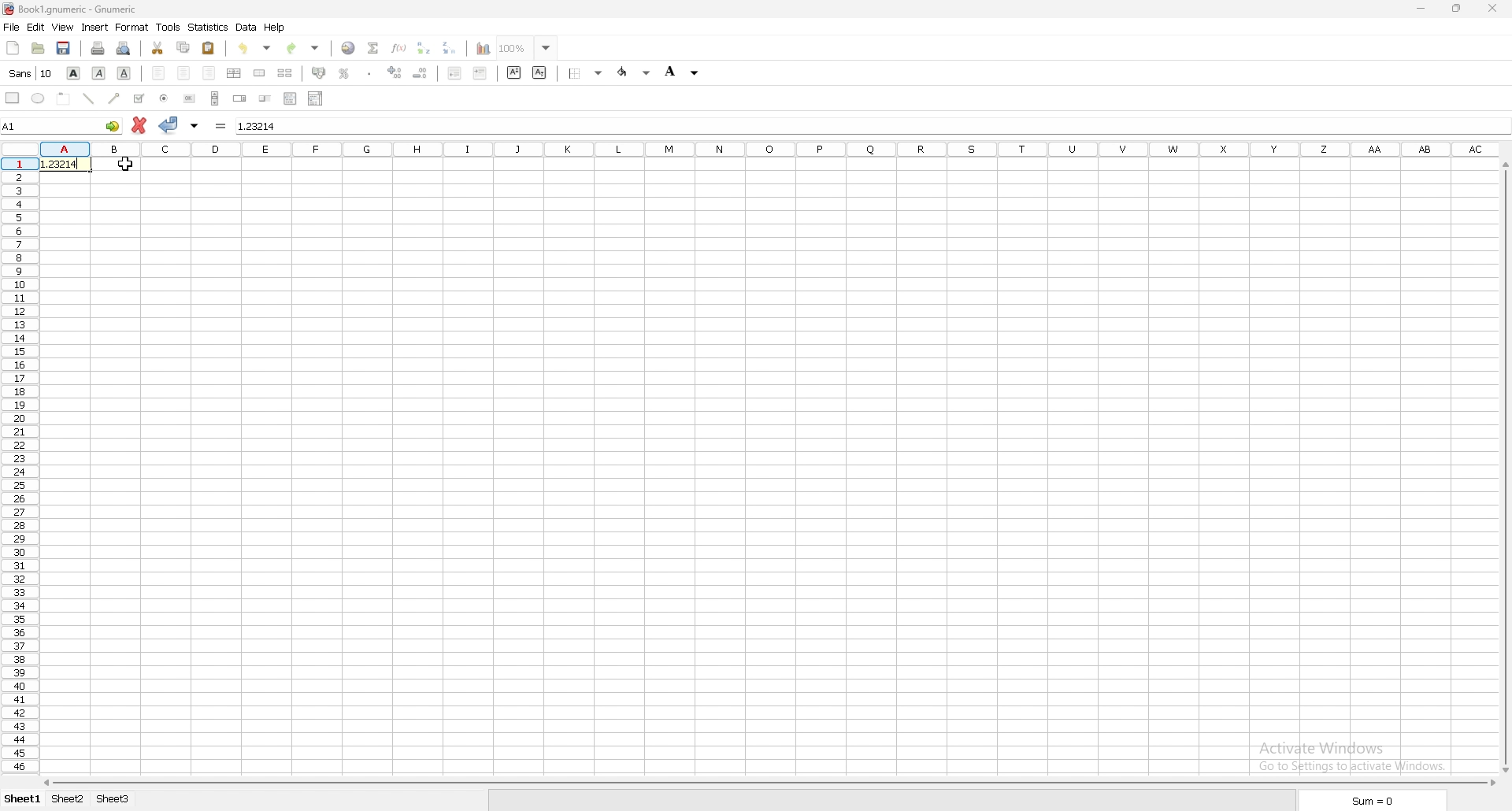  I want to click on copy, so click(183, 47).